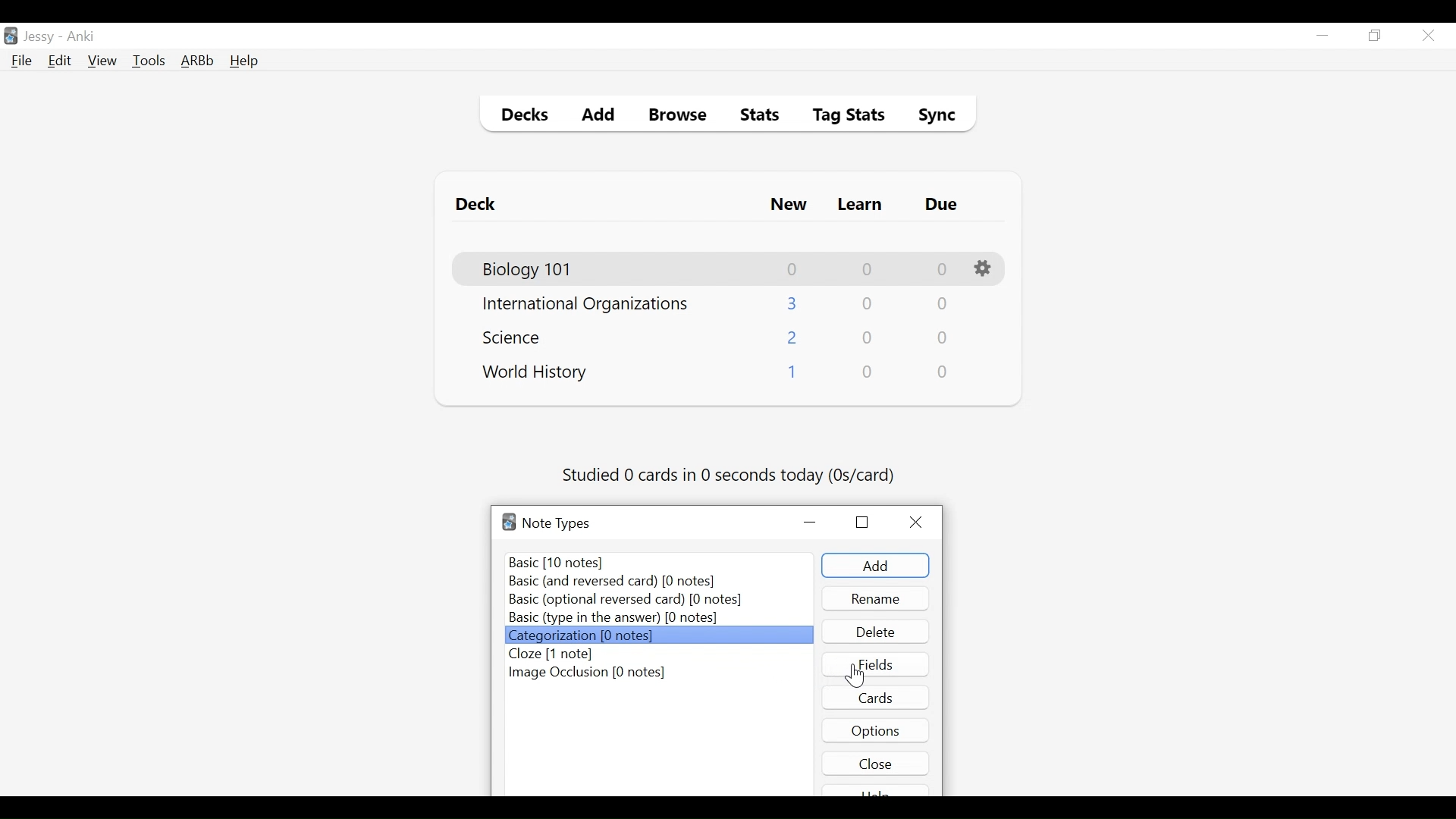 This screenshot has width=1456, height=819. I want to click on Learn, so click(859, 206).